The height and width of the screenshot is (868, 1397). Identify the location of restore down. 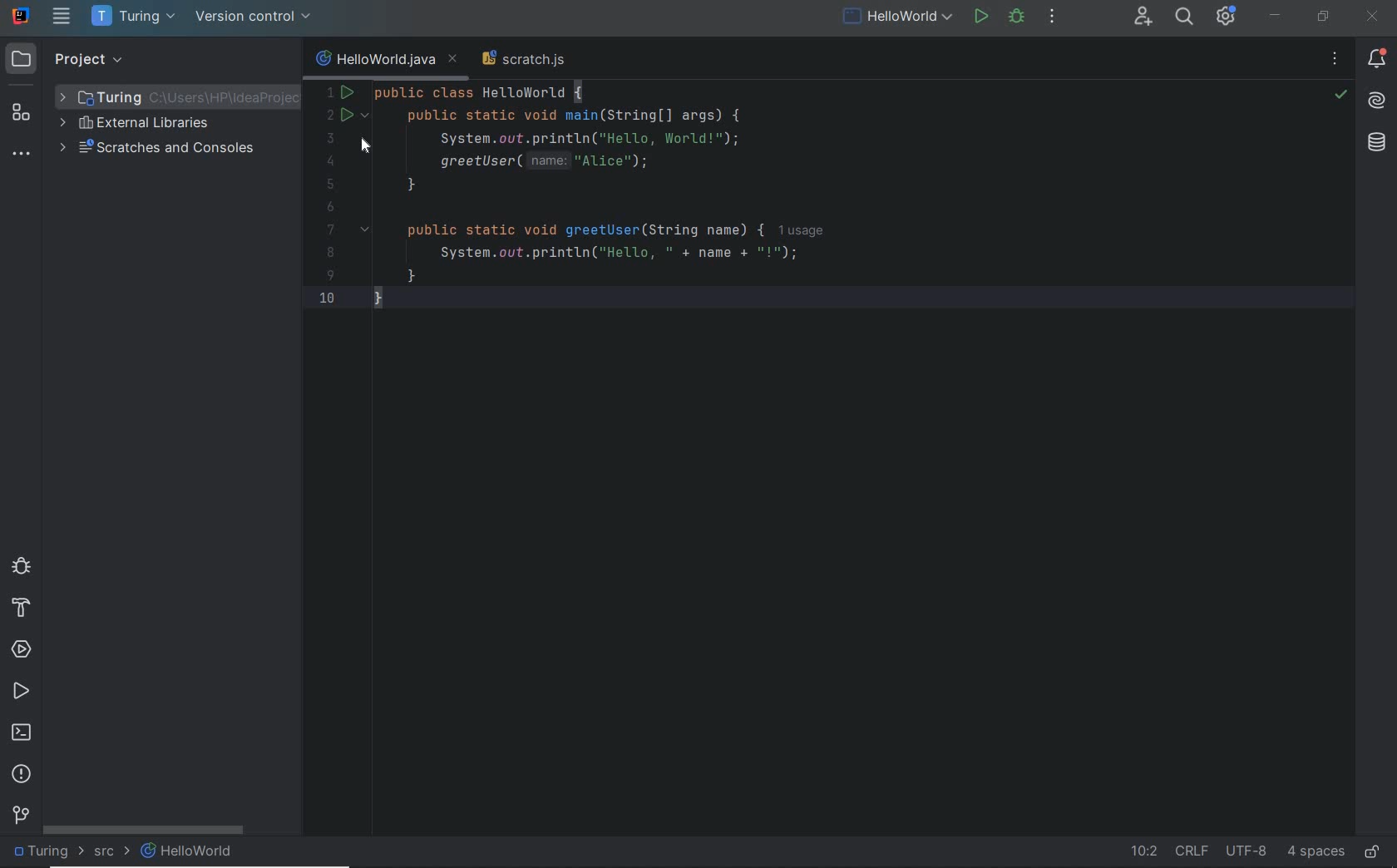
(1323, 18).